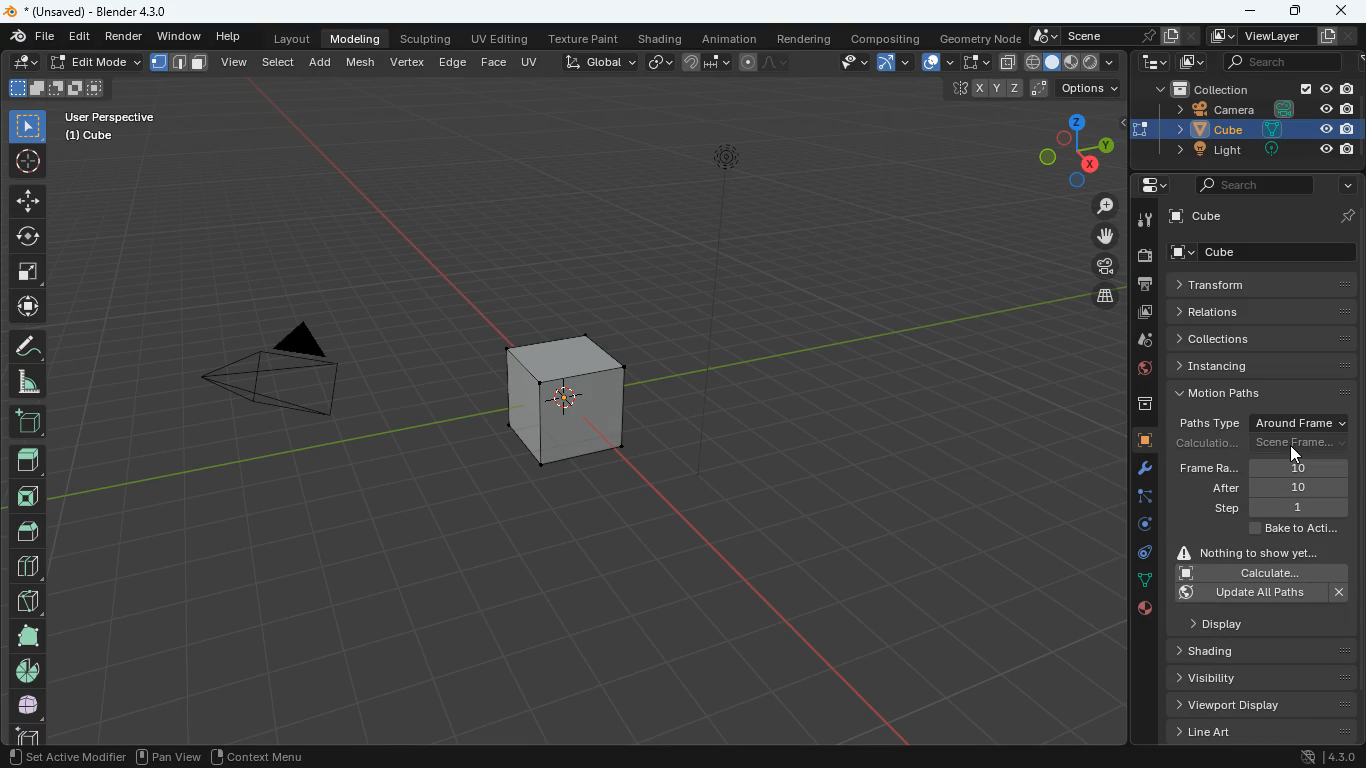  I want to click on uv editing, so click(503, 40).